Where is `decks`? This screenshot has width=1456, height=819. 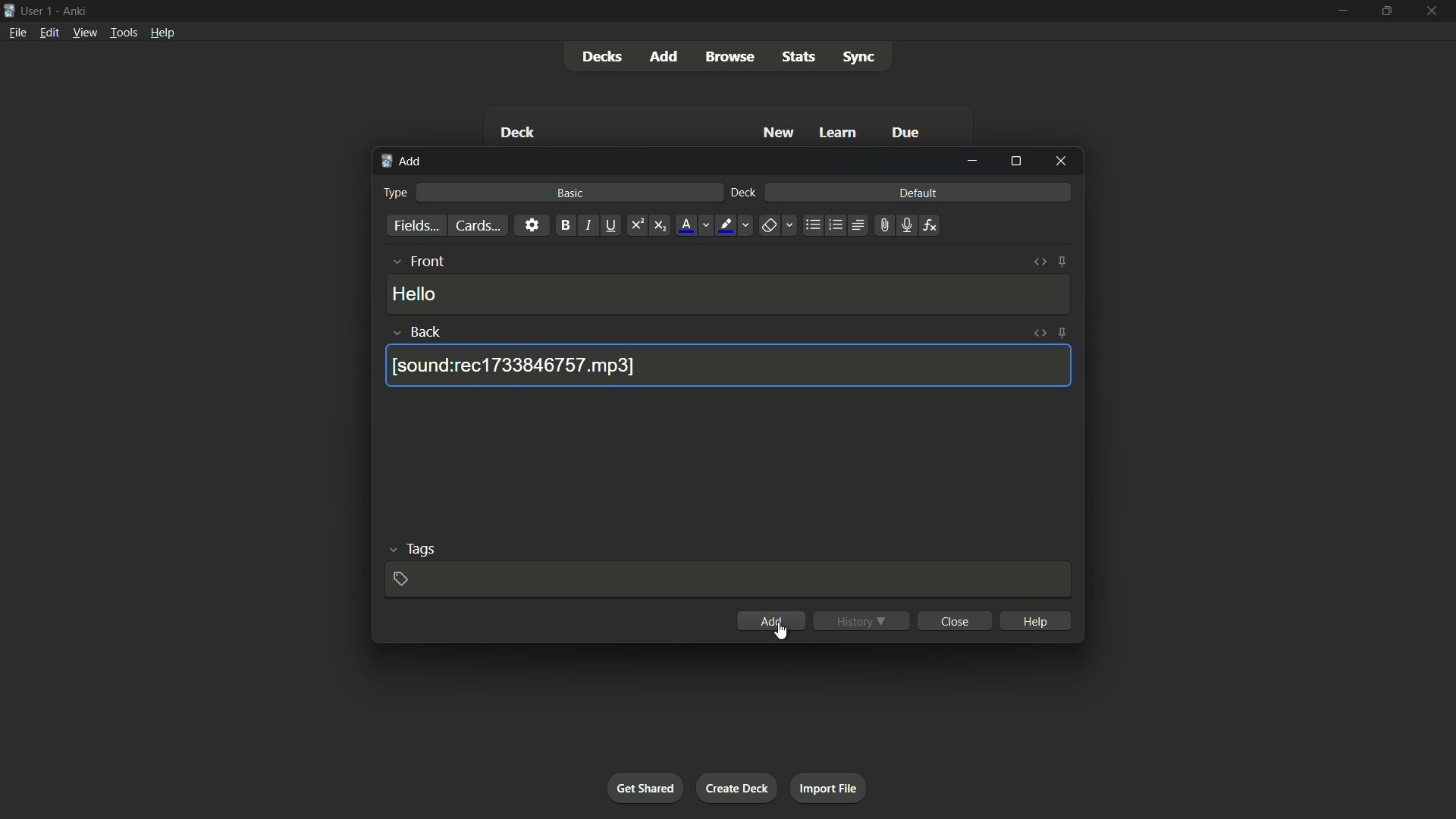
decks is located at coordinates (603, 58).